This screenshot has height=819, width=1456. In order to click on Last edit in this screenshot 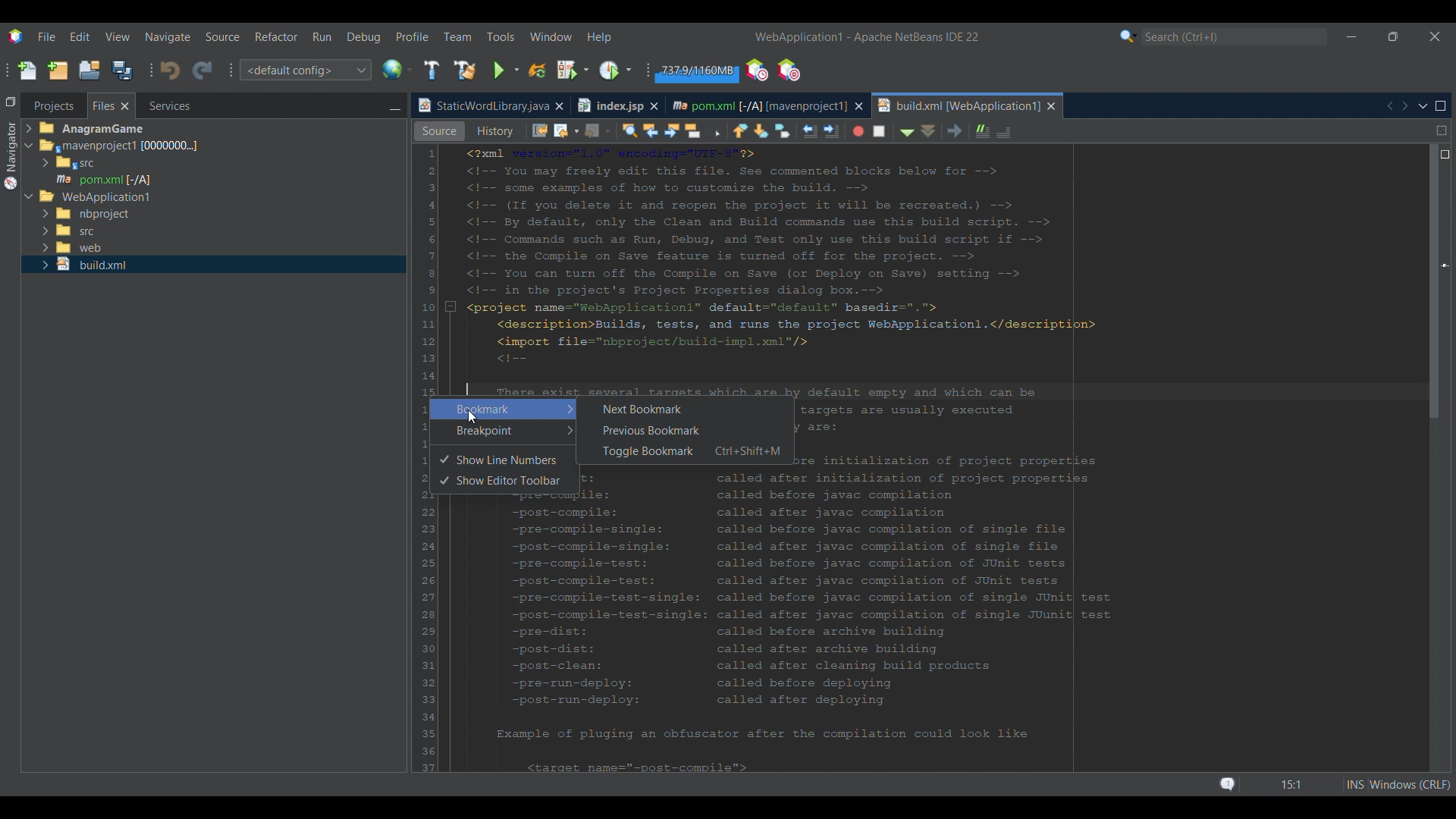, I will do `click(676, 130)`.